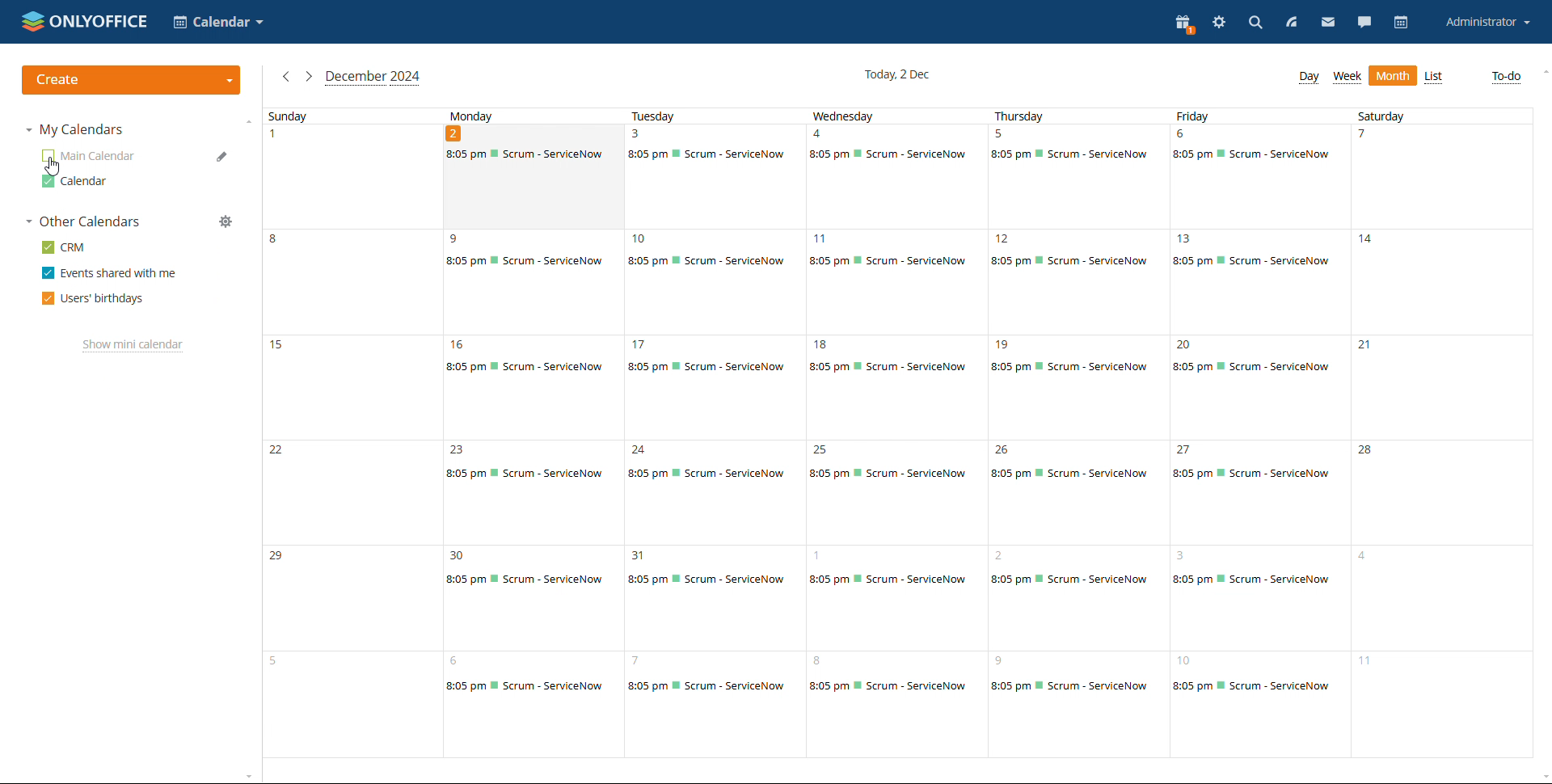 The width and height of the screenshot is (1552, 784). Describe the element at coordinates (64, 247) in the screenshot. I see `crm` at that location.